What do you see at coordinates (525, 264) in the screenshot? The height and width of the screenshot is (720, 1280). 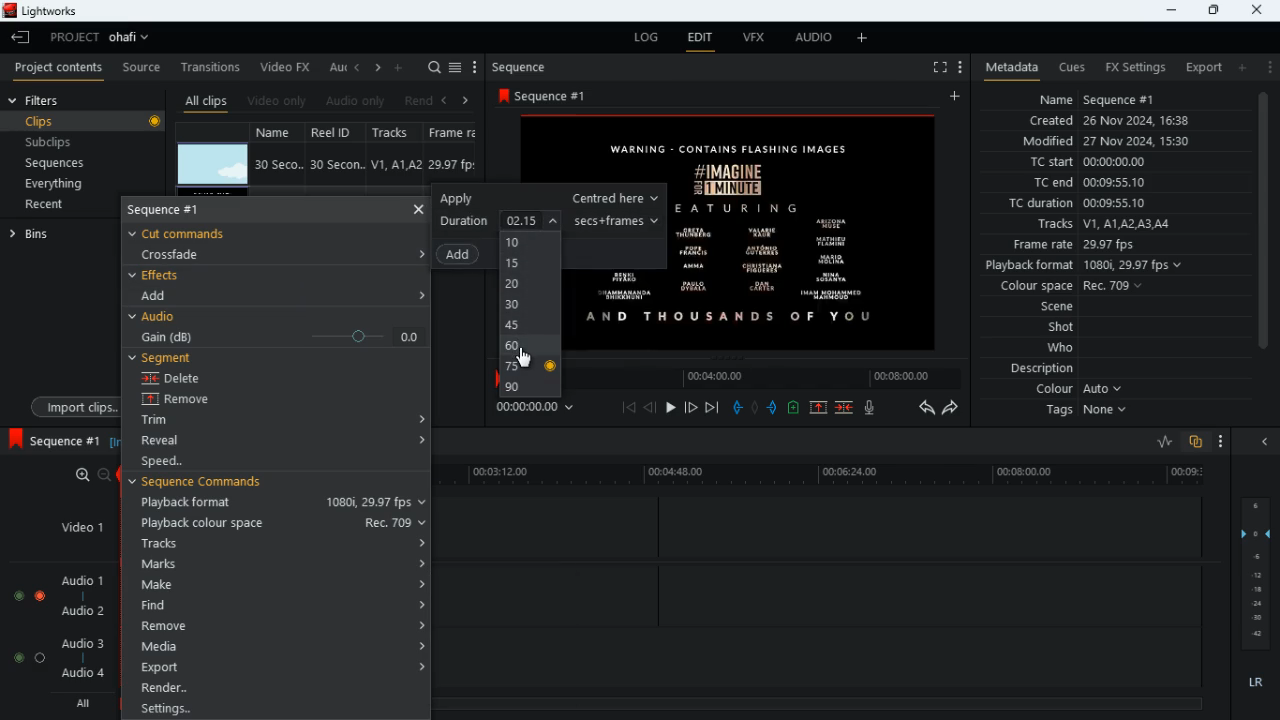 I see `15` at bounding box center [525, 264].